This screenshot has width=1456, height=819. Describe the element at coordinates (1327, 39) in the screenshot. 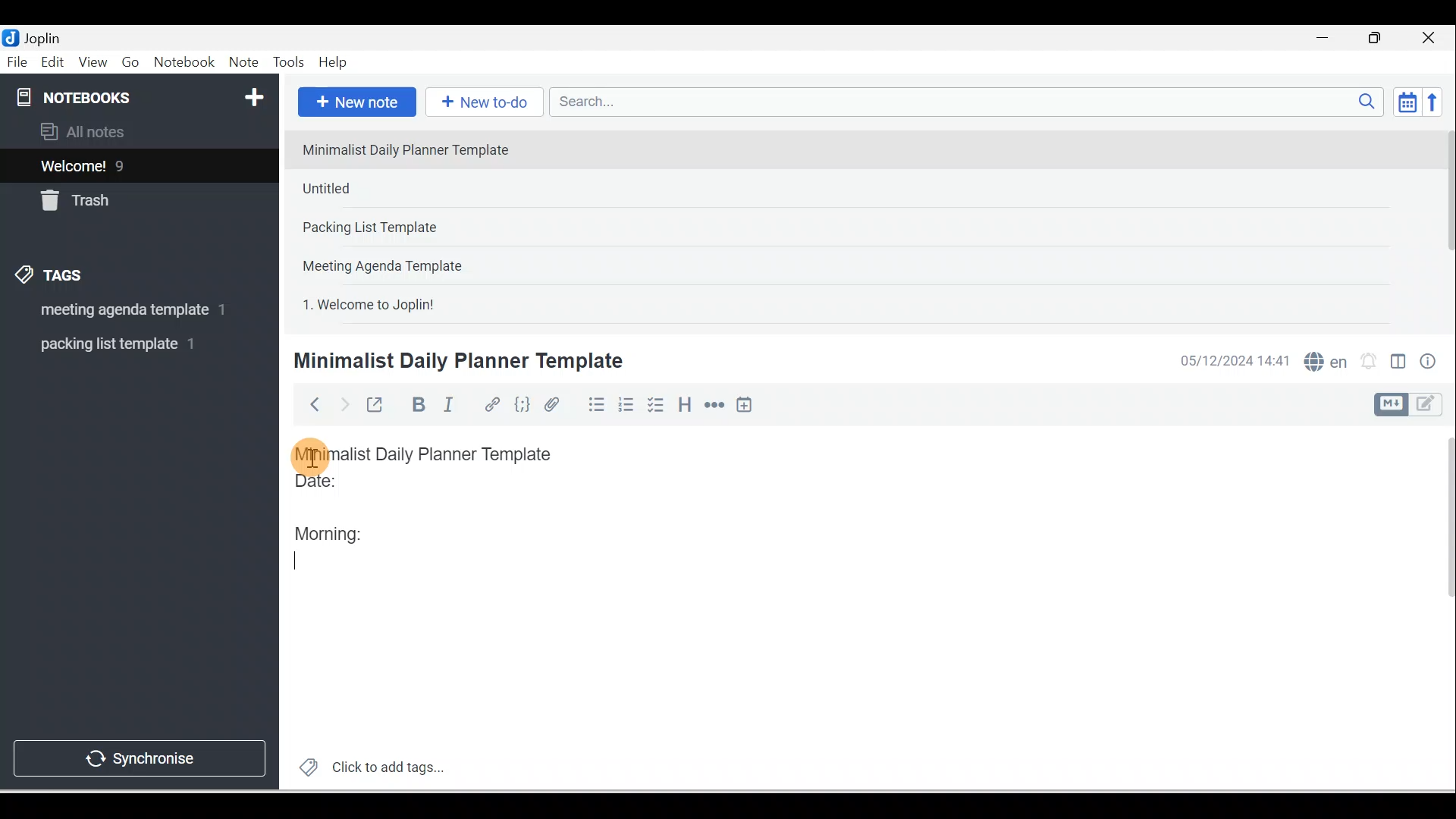

I see `Minimise` at that location.